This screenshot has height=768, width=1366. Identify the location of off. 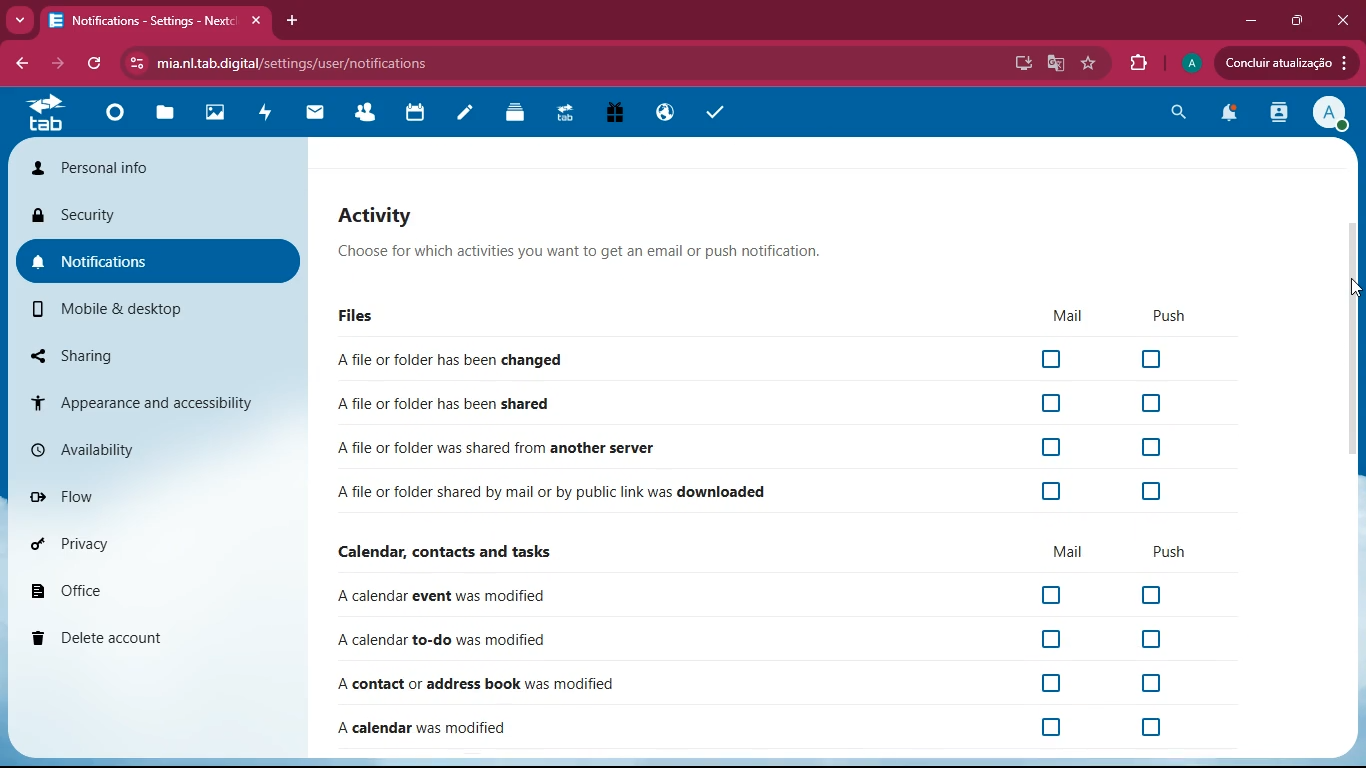
(1034, 685).